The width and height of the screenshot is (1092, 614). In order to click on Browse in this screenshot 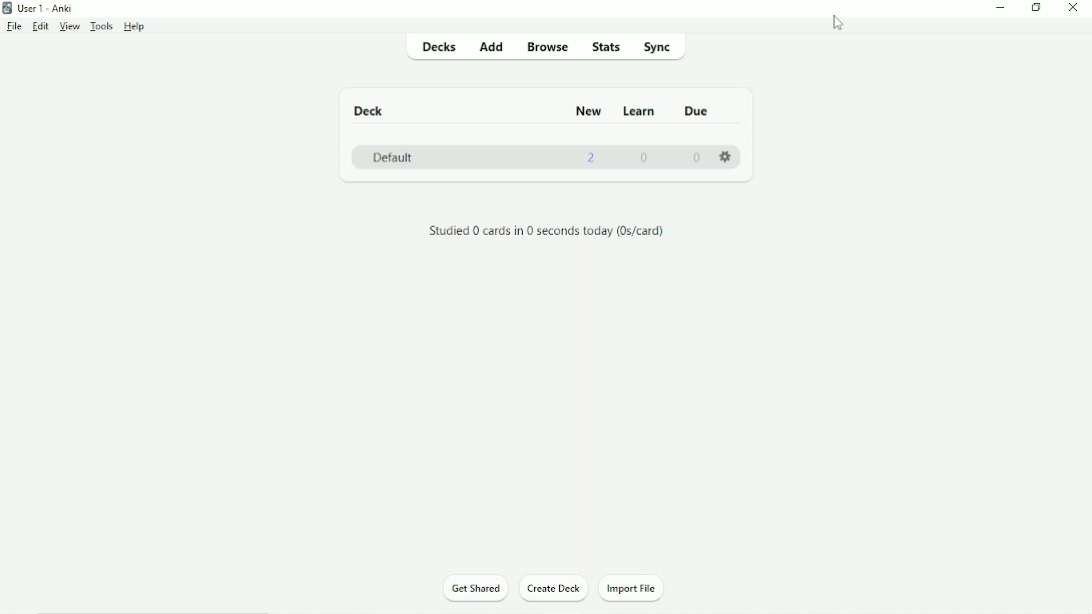, I will do `click(547, 49)`.